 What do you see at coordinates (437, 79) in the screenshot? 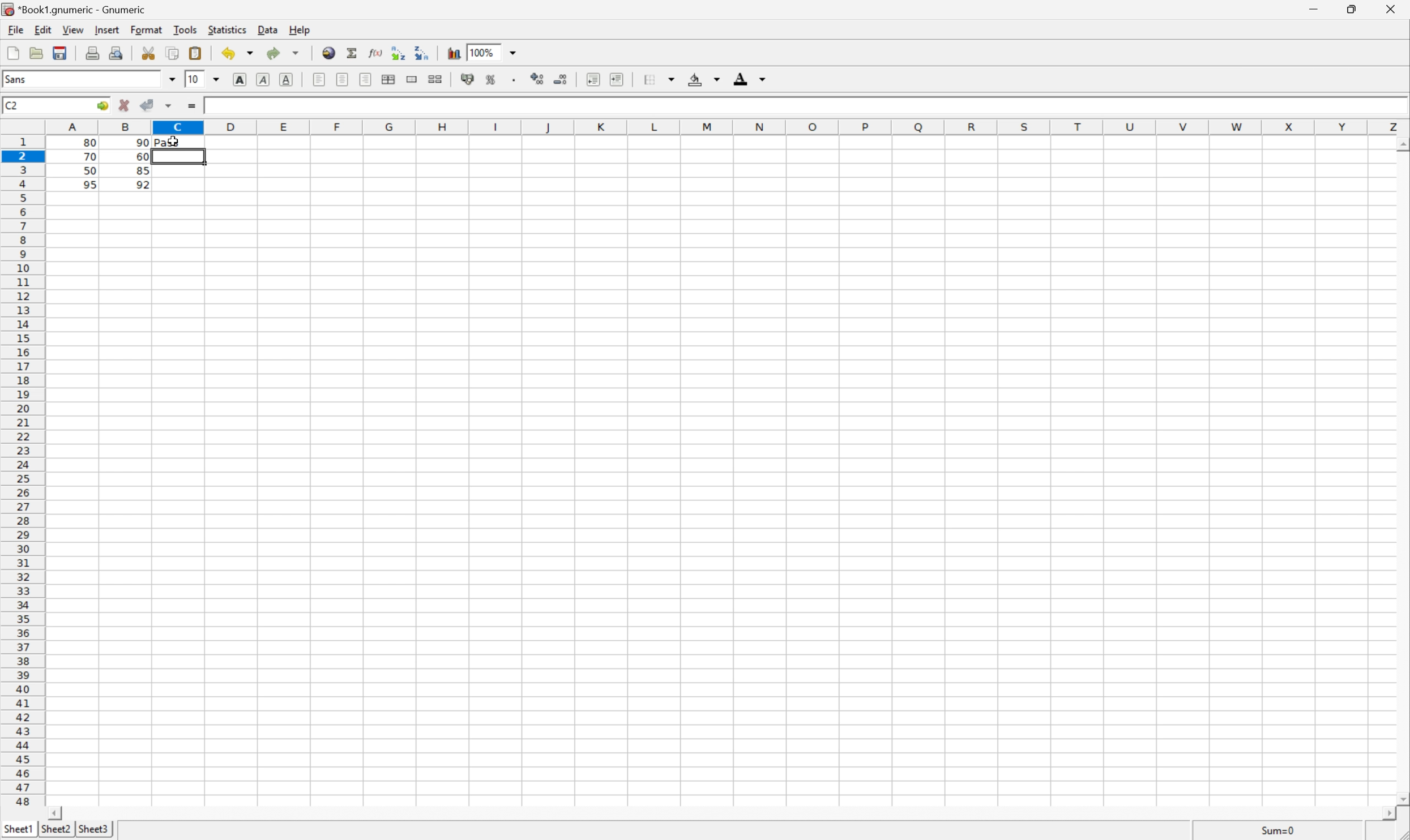
I see `Split merged ranges of cells` at bounding box center [437, 79].